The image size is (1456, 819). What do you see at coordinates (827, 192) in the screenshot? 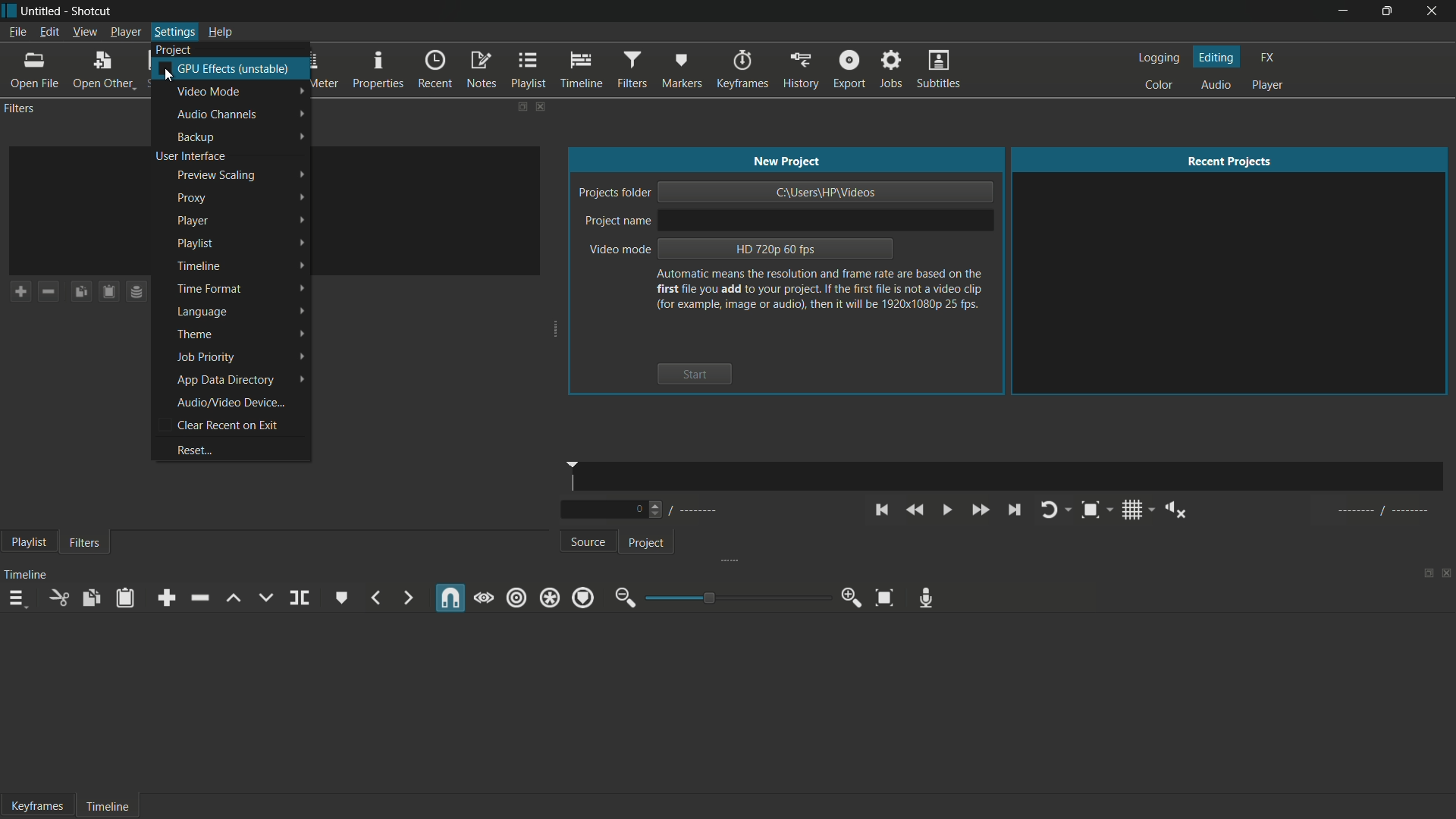
I see `project location` at bounding box center [827, 192].